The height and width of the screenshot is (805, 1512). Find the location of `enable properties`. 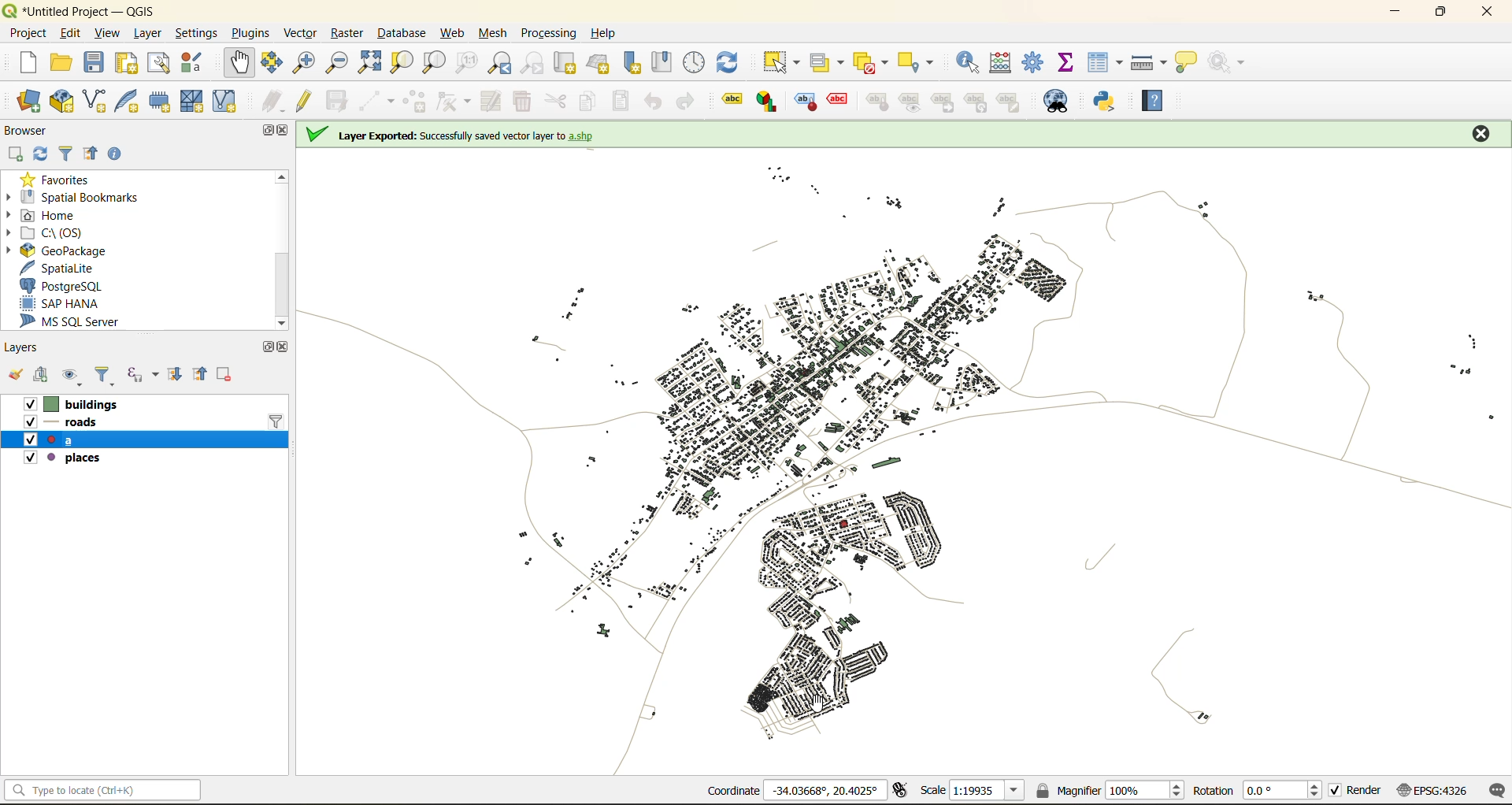

enable properties is located at coordinates (115, 154).